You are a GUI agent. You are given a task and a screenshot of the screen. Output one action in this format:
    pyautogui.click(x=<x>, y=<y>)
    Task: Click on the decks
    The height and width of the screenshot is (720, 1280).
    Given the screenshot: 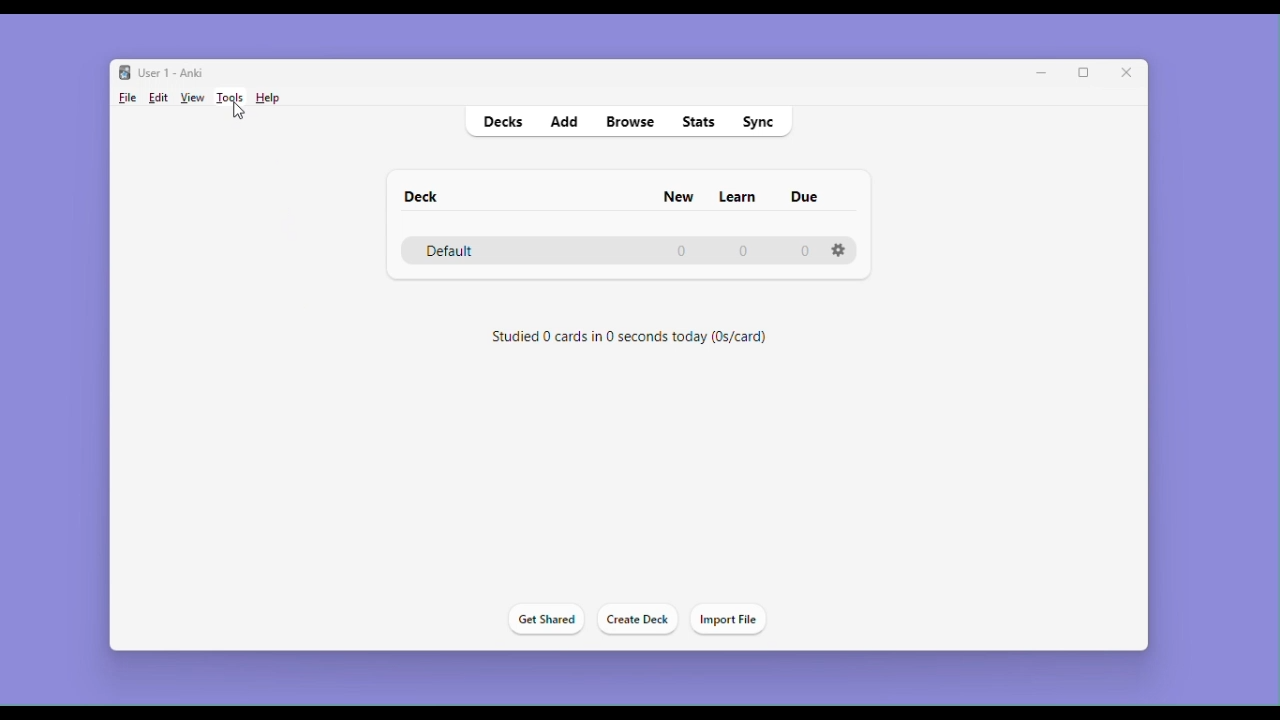 What is the action you would take?
    pyautogui.click(x=501, y=122)
    